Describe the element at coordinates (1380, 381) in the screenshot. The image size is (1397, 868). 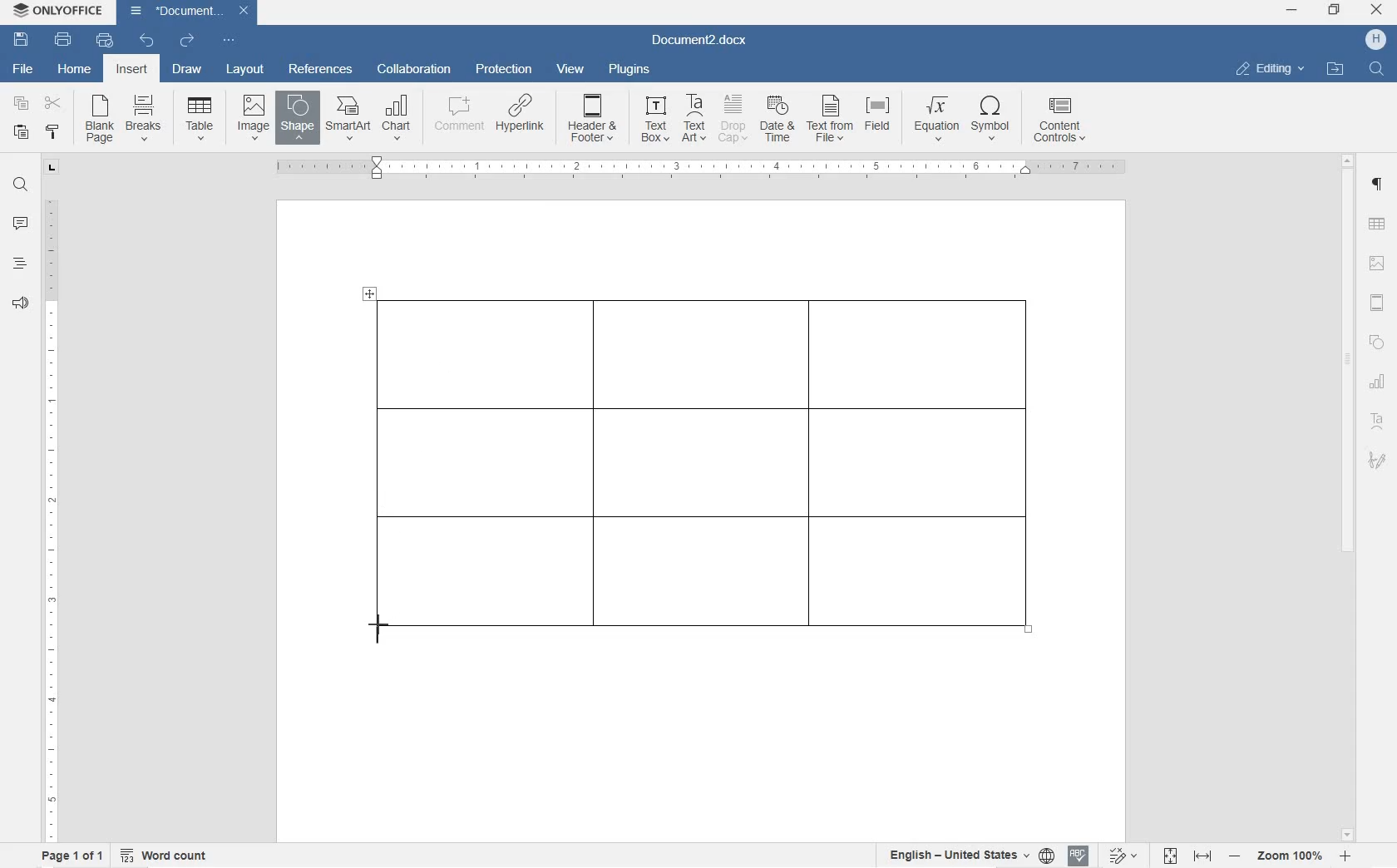
I see `chart` at that location.